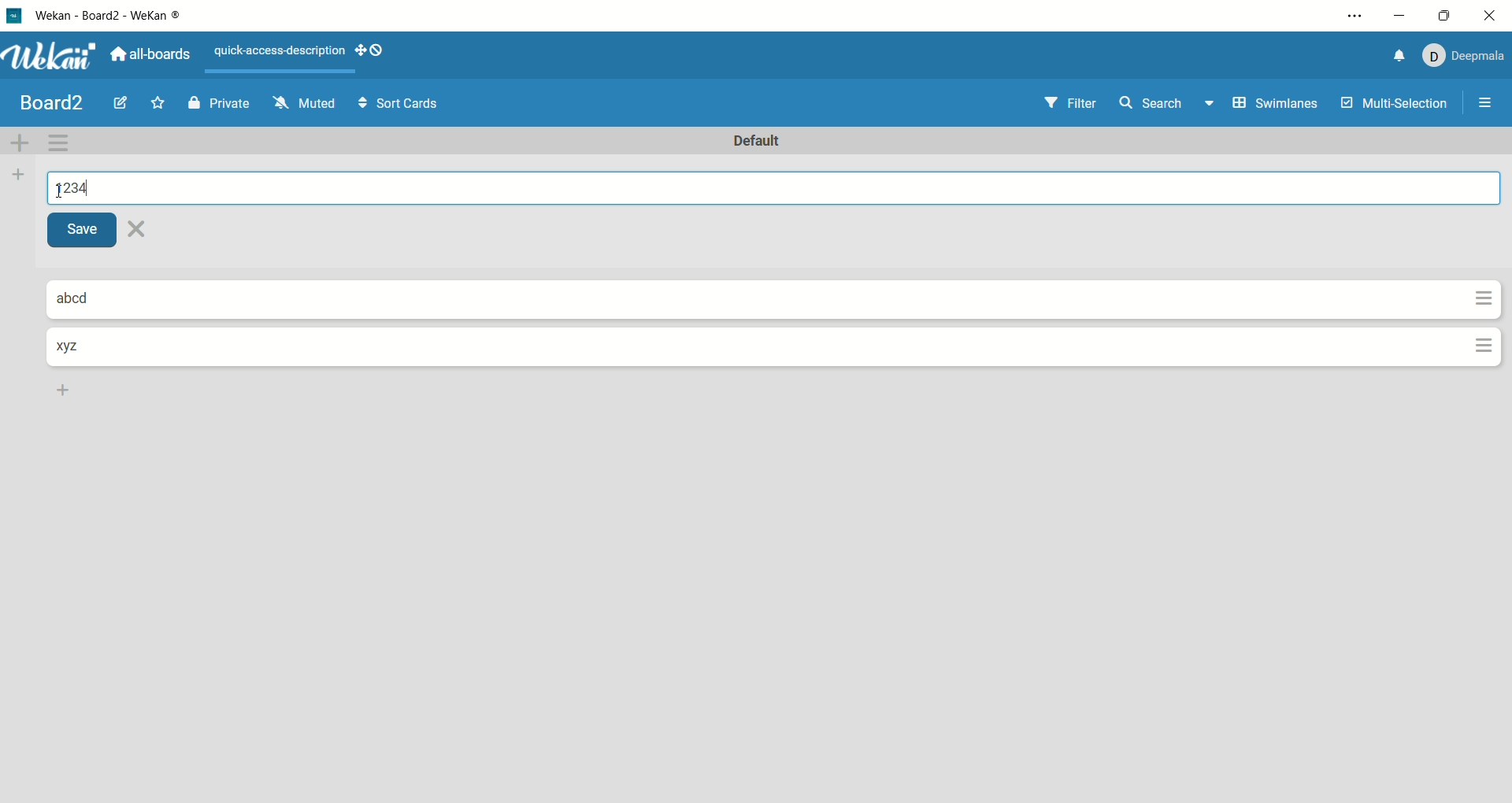 Image resolution: width=1512 pixels, height=803 pixels. I want to click on add list, so click(17, 176).